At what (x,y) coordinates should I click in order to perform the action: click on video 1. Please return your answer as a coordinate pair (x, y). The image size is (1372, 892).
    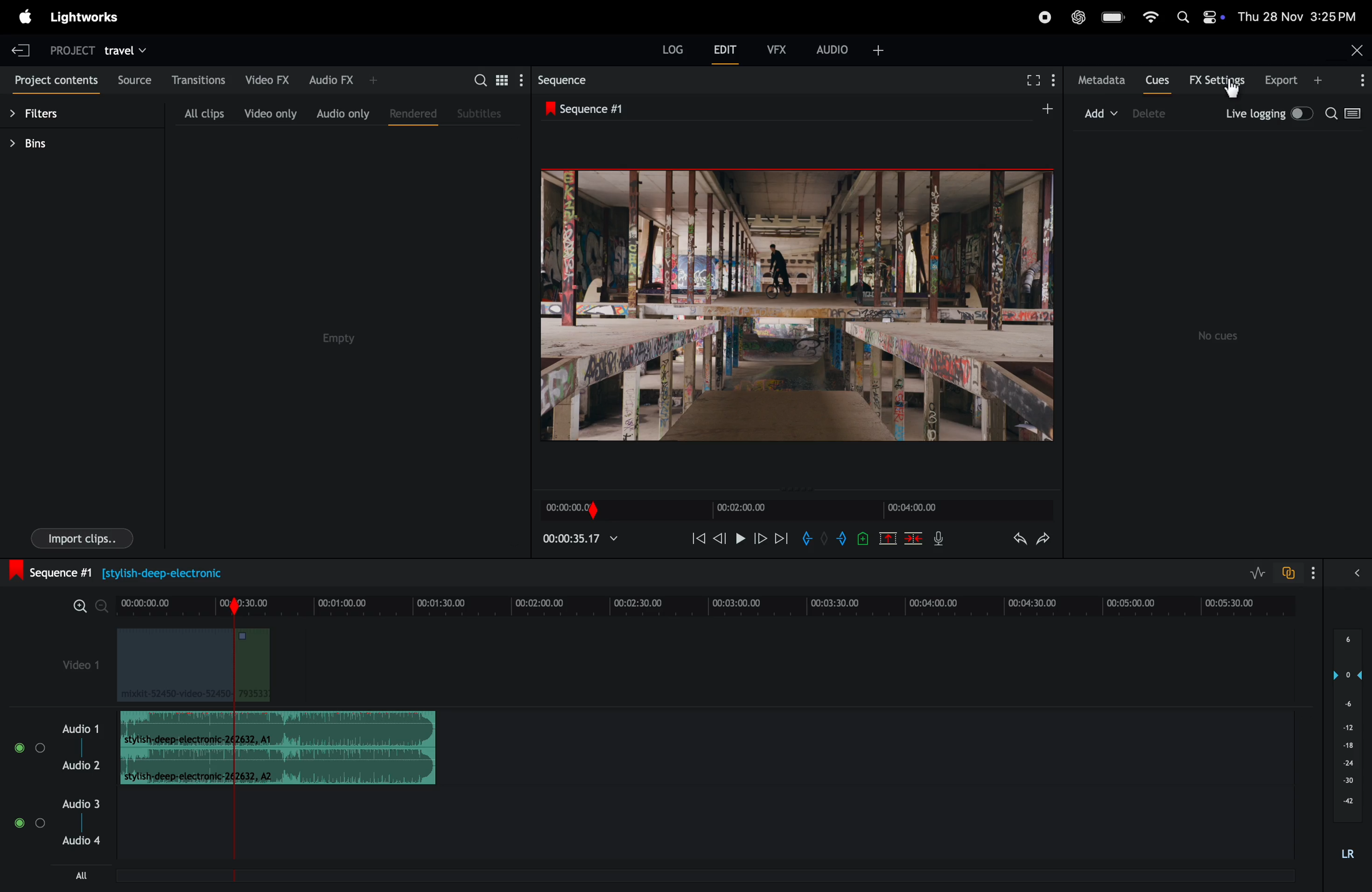
    Looking at the image, I should click on (70, 662).